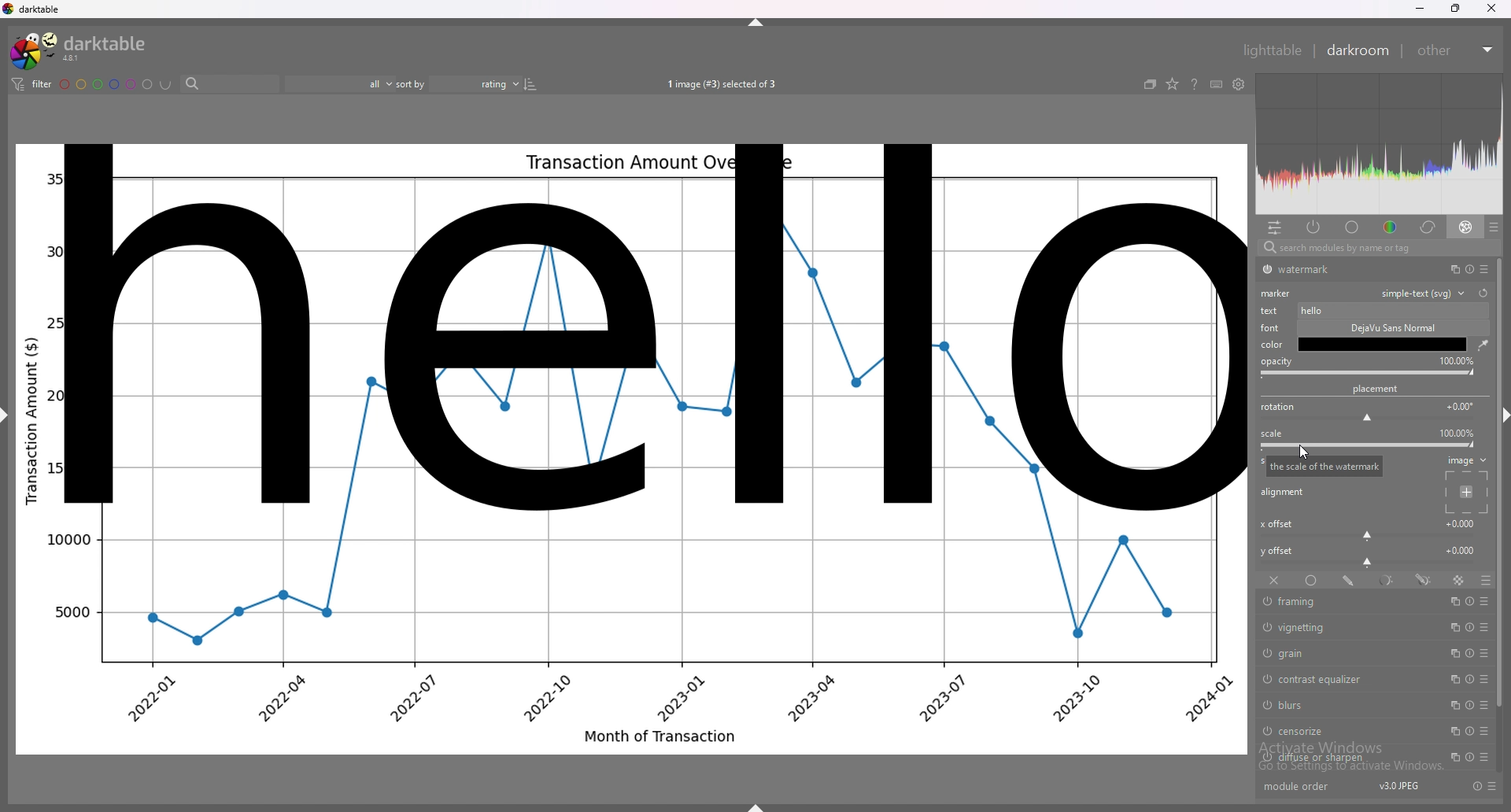 The width and height of the screenshot is (1511, 812). What do you see at coordinates (530, 83) in the screenshot?
I see `reverse sort order` at bounding box center [530, 83].